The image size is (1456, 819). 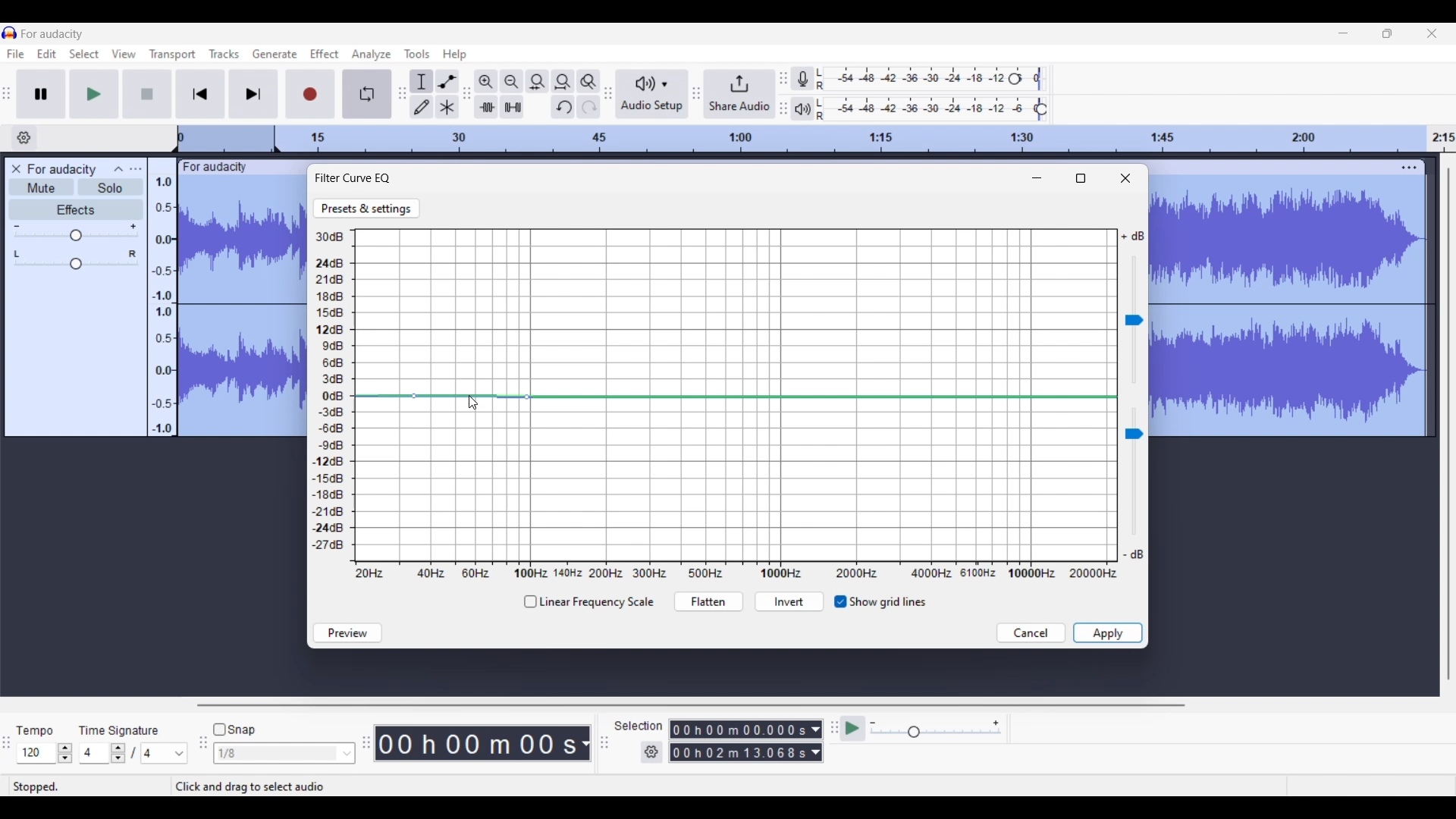 What do you see at coordinates (76, 236) in the screenshot?
I see `Change gain` at bounding box center [76, 236].